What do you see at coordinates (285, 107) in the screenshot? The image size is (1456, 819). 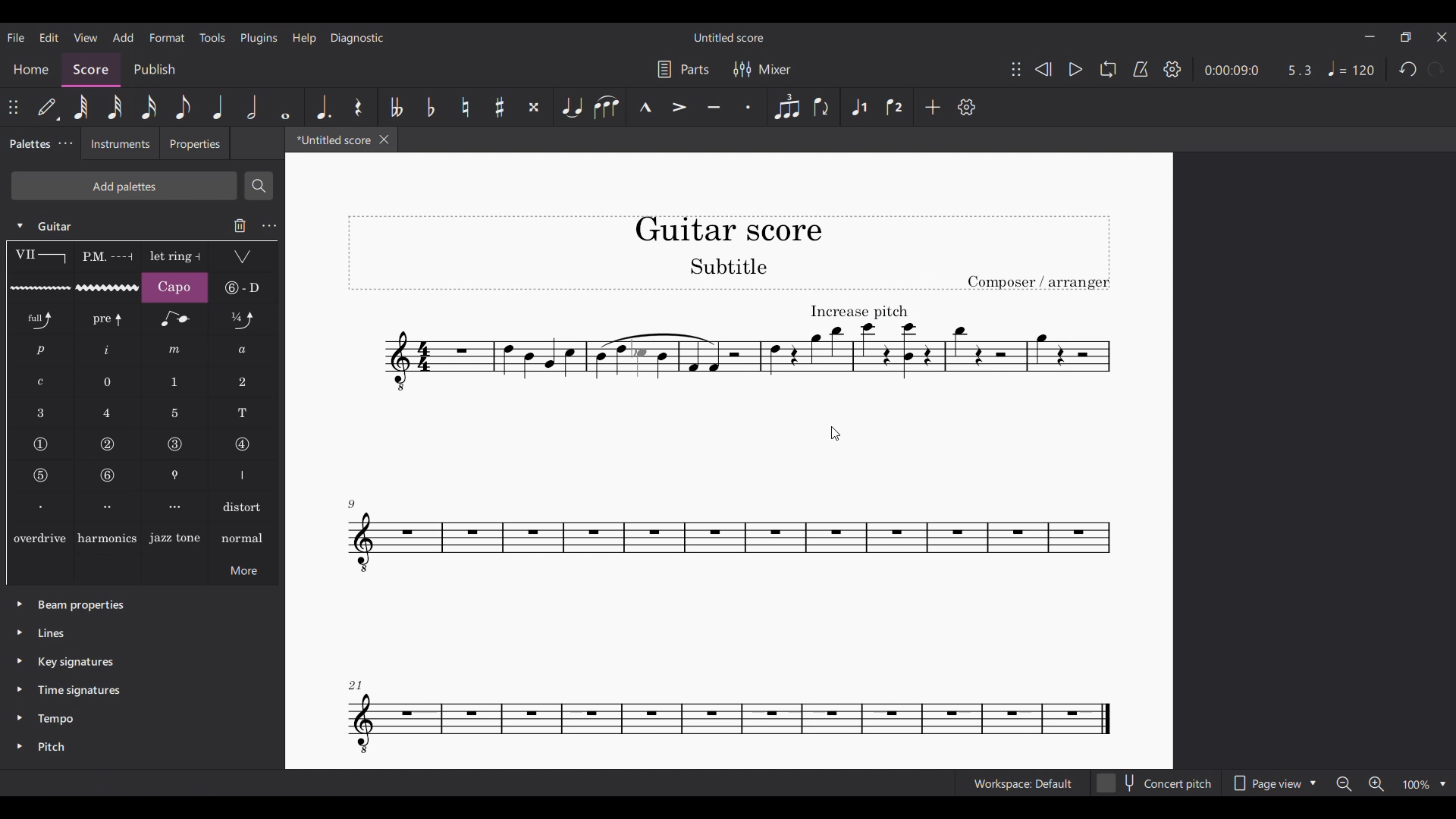 I see `Whole note` at bounding box center [285, 107].